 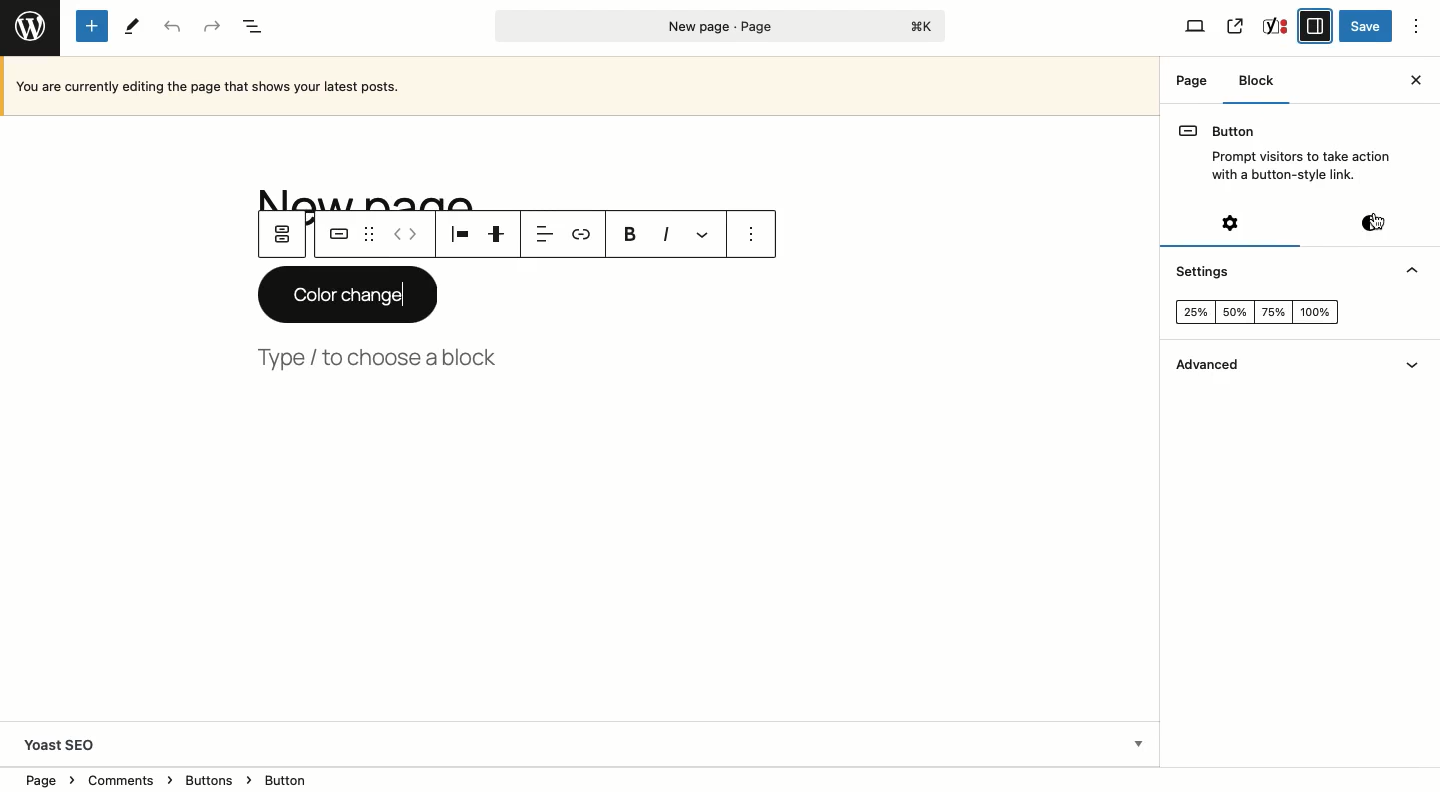 I want to click on Document overview, so click(x=256, y=28).